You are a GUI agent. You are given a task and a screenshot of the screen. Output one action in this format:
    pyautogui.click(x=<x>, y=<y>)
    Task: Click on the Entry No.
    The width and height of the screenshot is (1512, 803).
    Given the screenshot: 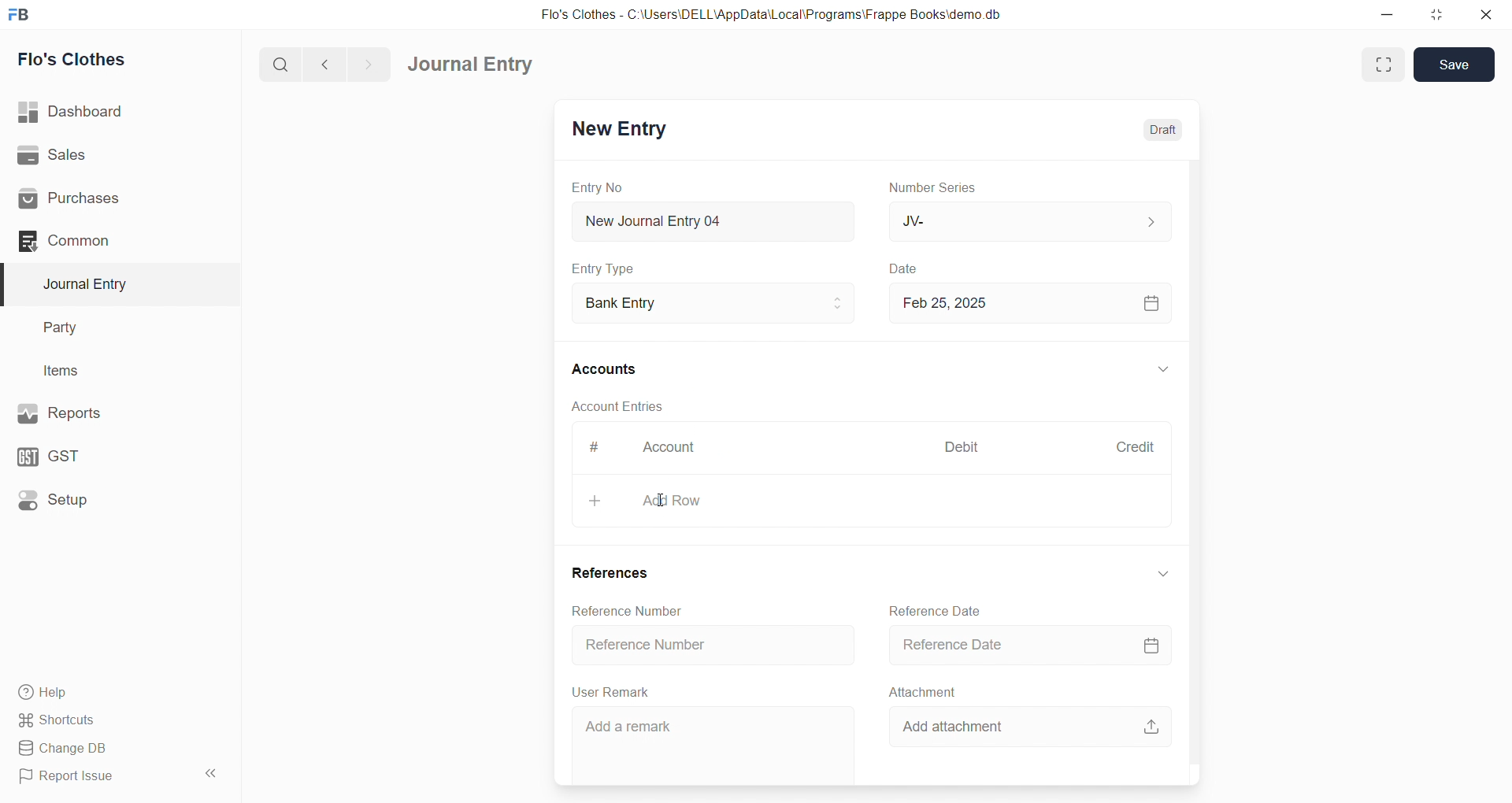 What is the action you would take?
    pyautogui.click(x=597, y=187)
    